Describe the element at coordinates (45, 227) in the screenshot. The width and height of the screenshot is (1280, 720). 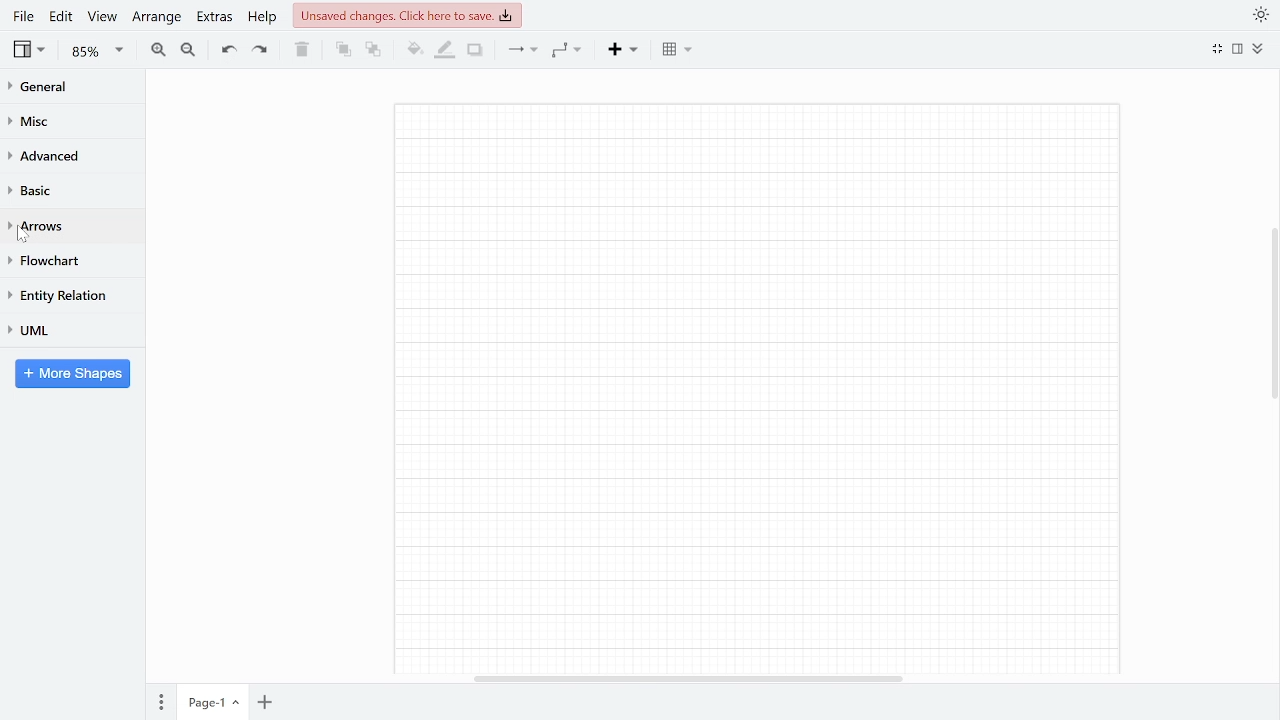
I see `Arrows` at that location.